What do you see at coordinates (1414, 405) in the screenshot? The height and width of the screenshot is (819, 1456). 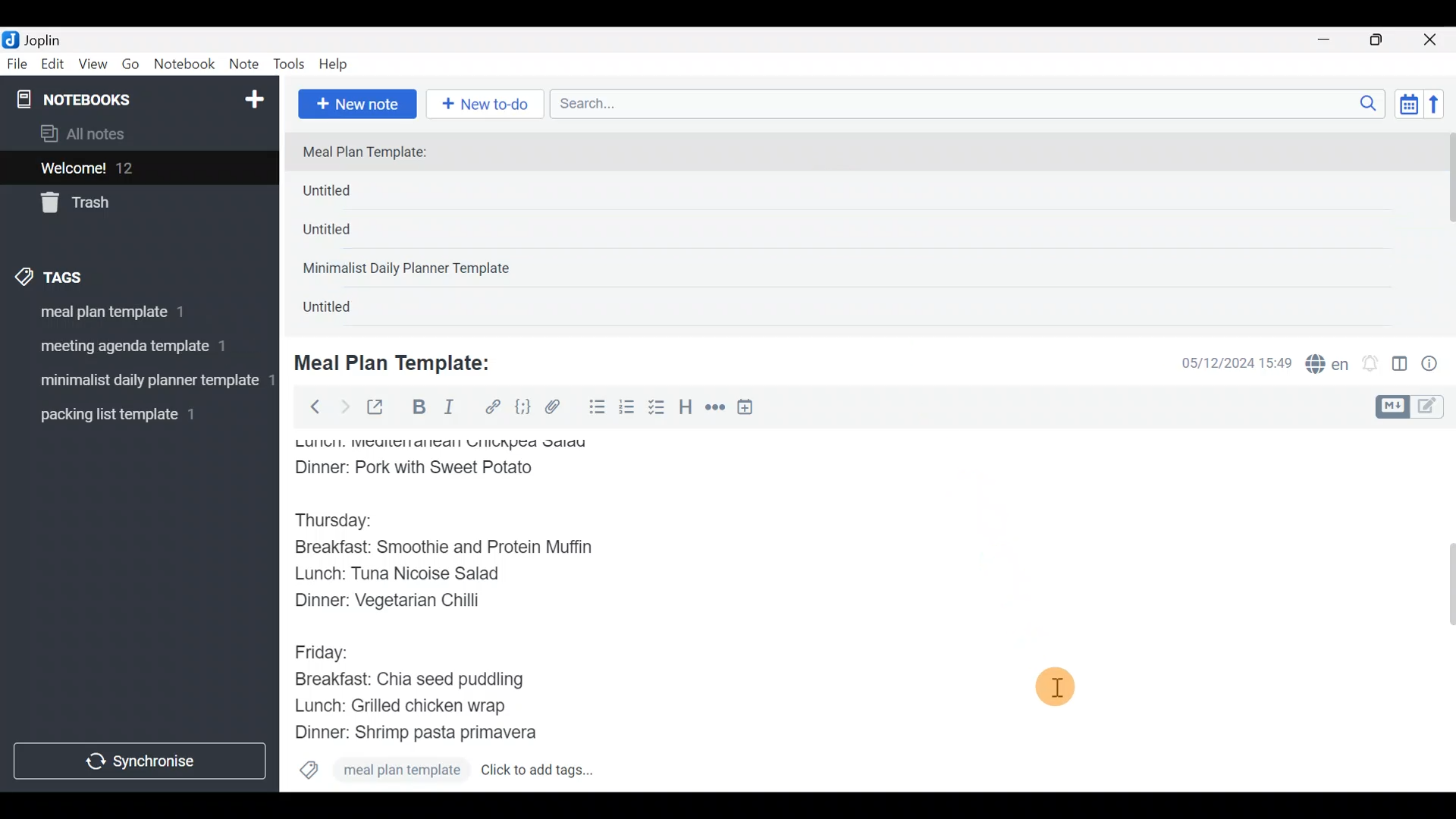 I see `Toggle editors` at bounding box center [1414, 405].